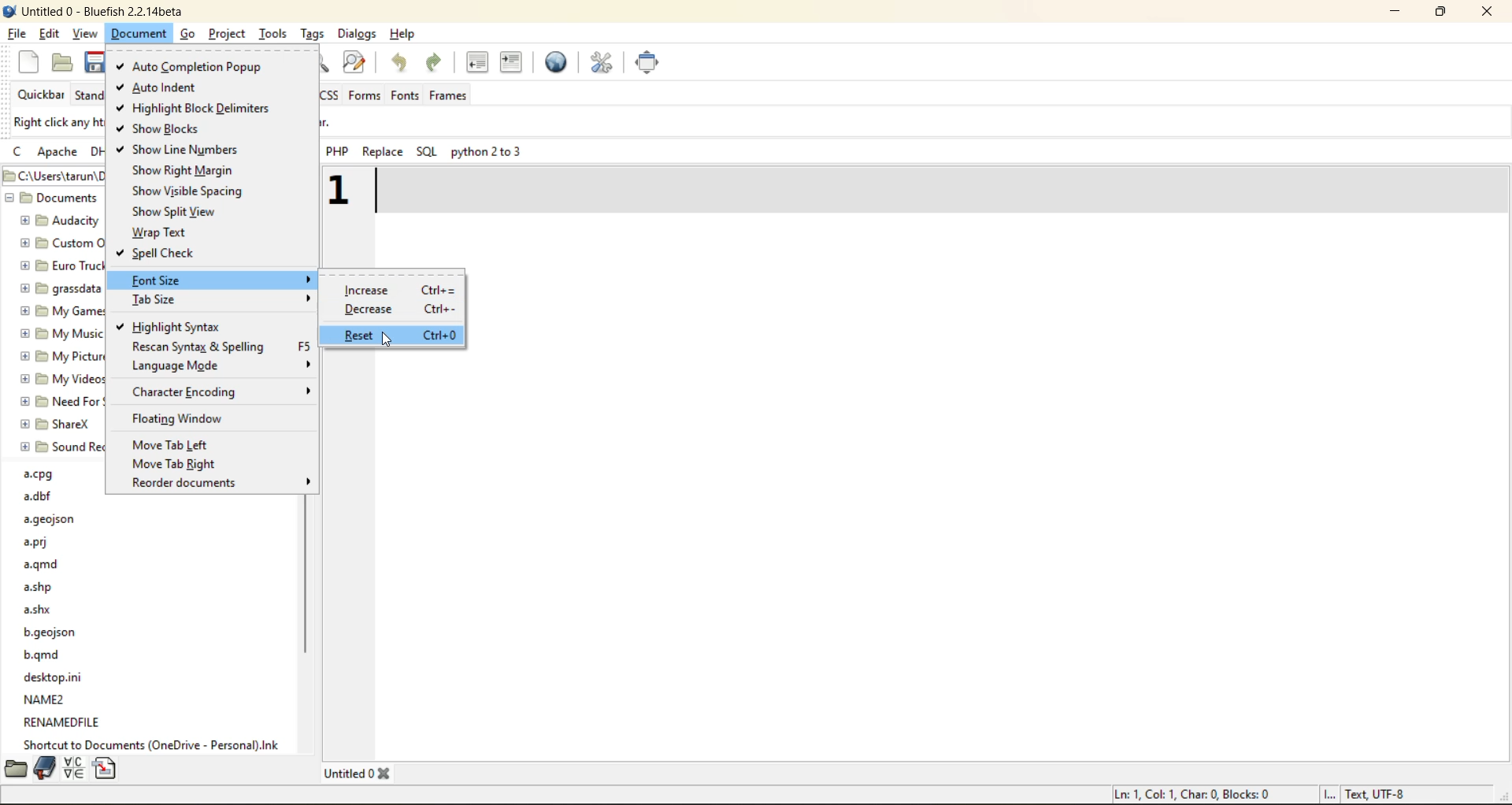 The width and height of the screenshot is (1512, 805). What do you see at coordinates (173, 368) in the screenshot?
I see `language mode` at bounding box center [173, 368].